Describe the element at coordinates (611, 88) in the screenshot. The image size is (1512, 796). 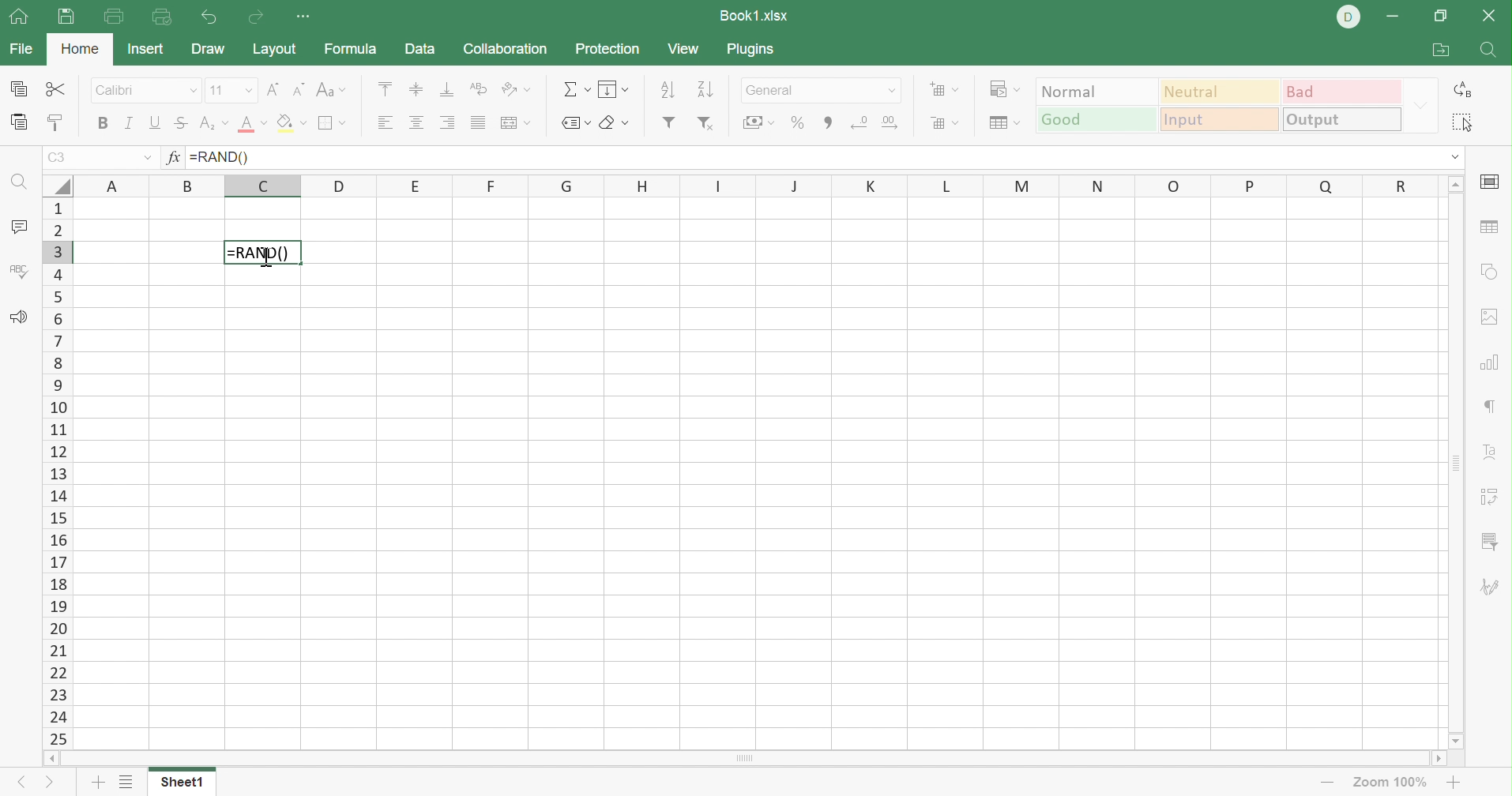
I see `Fill` at that location.